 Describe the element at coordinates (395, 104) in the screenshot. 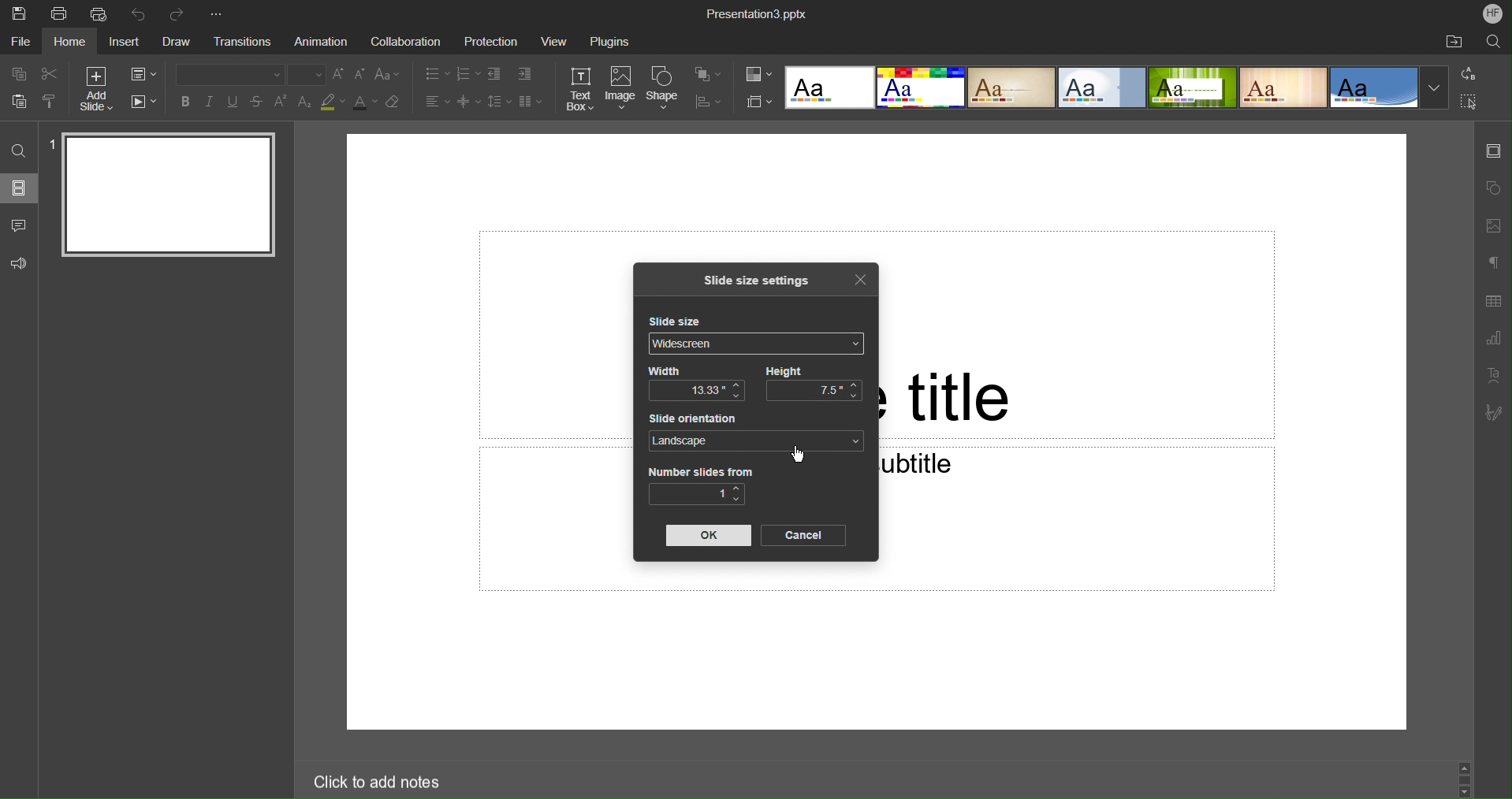

I see `Erase Style` at that location.